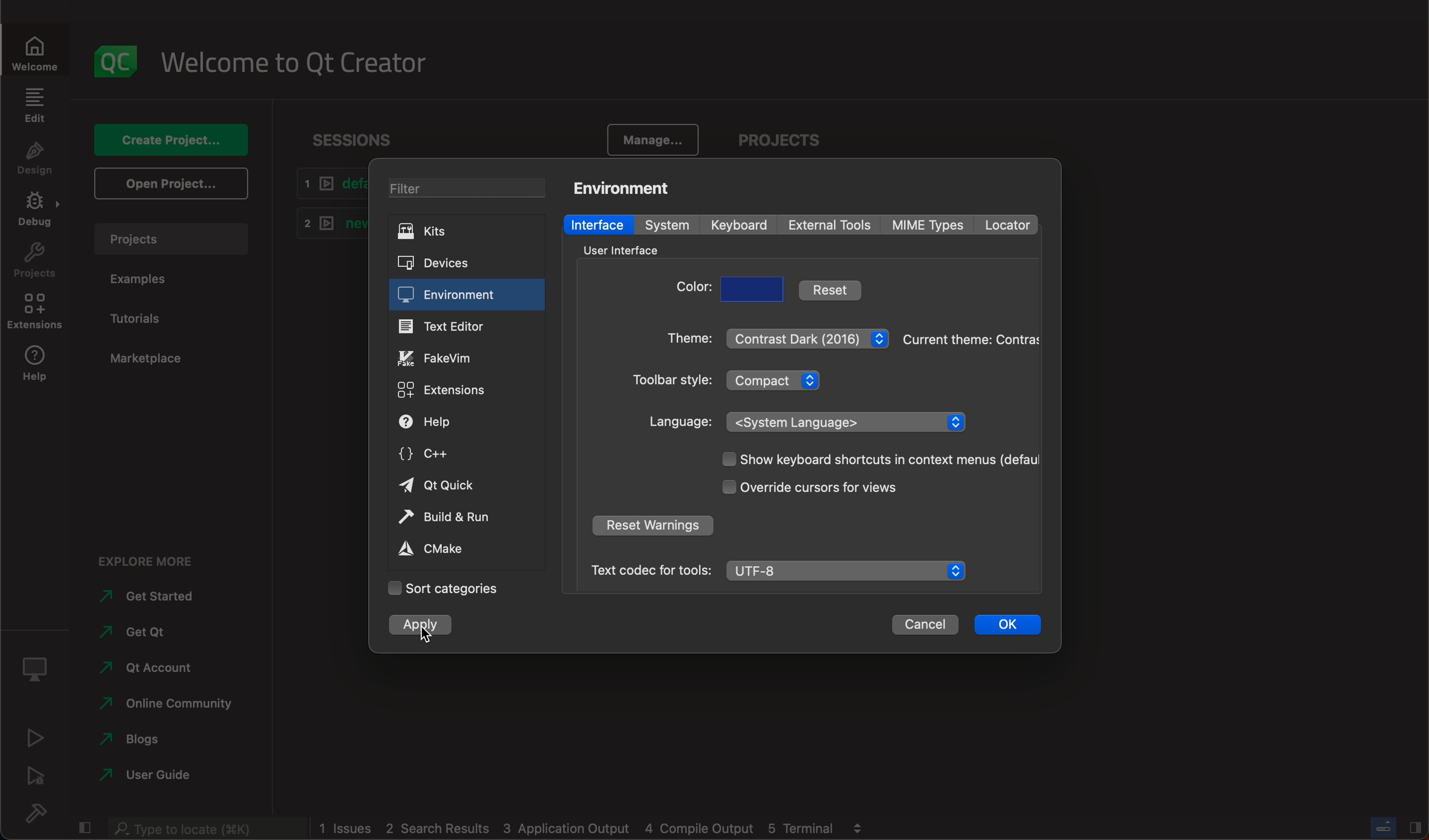  I want to click on logs, so click(577, 829).